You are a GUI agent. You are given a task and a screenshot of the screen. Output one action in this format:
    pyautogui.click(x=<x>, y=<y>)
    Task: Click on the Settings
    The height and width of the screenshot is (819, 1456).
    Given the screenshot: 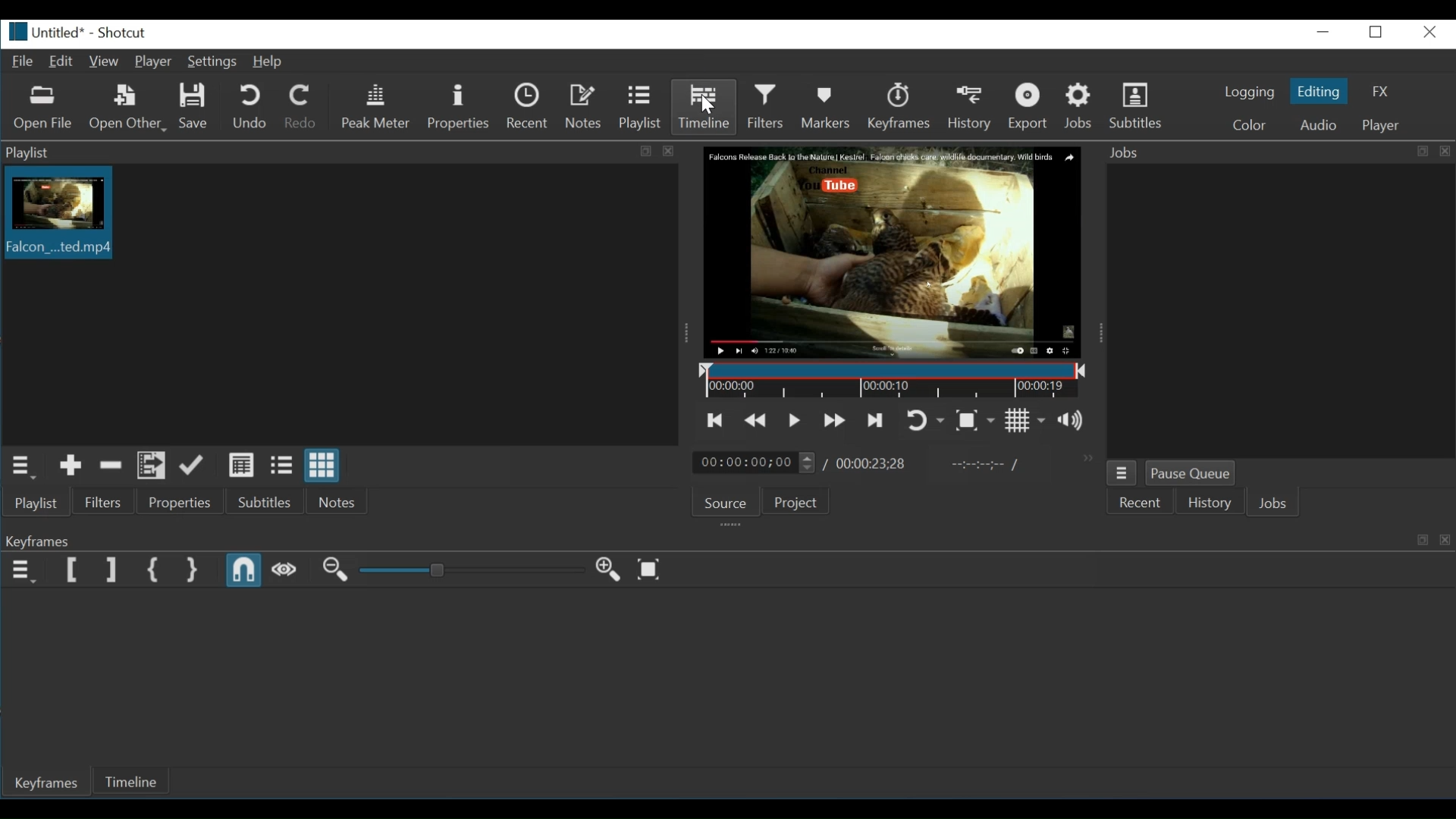 What is the action you would take?
    pyautogui.click(x=212, y=61)
    